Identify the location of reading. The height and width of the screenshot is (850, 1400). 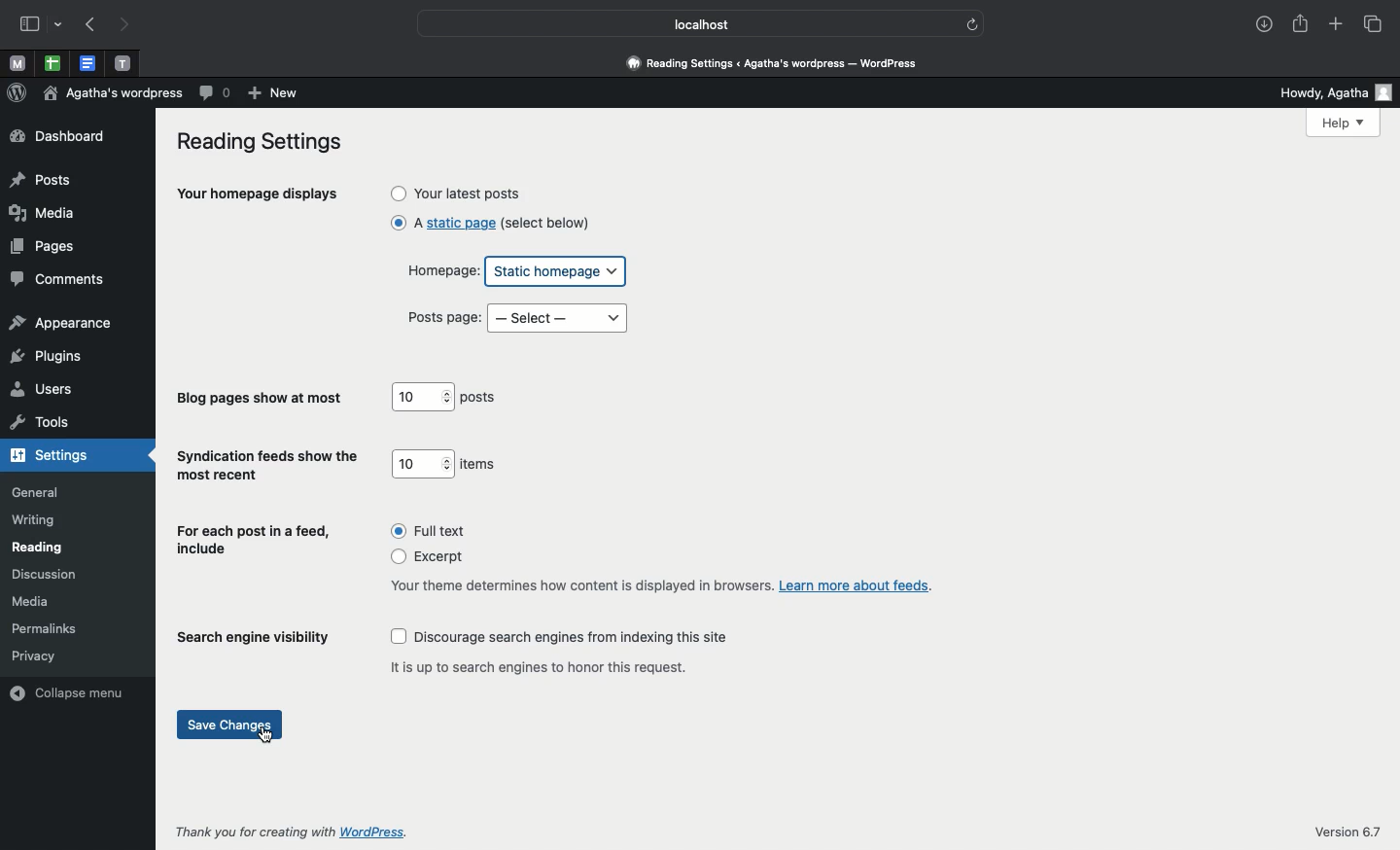
(39, 548).